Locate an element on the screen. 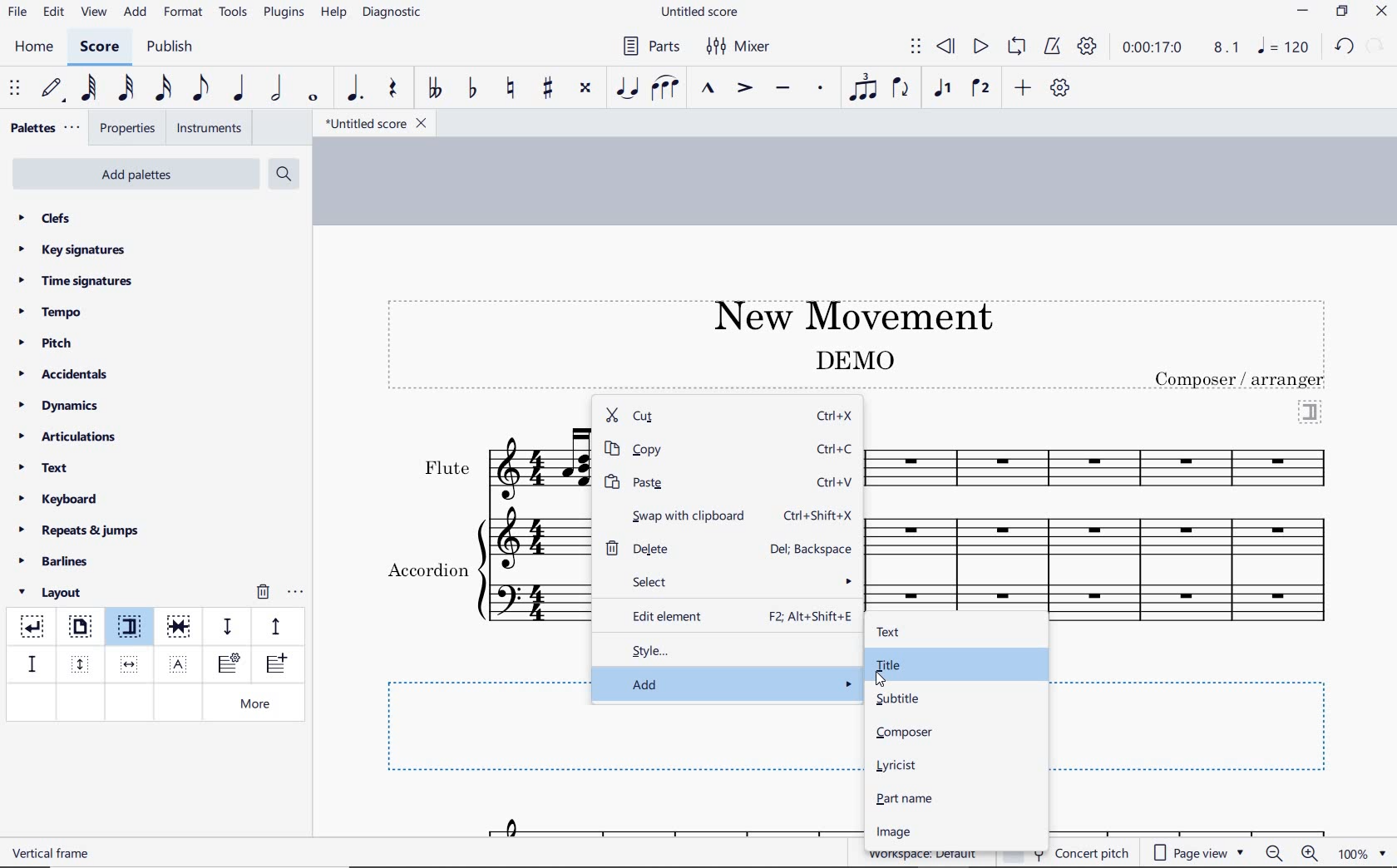  view is located at coordinates (91, 13).